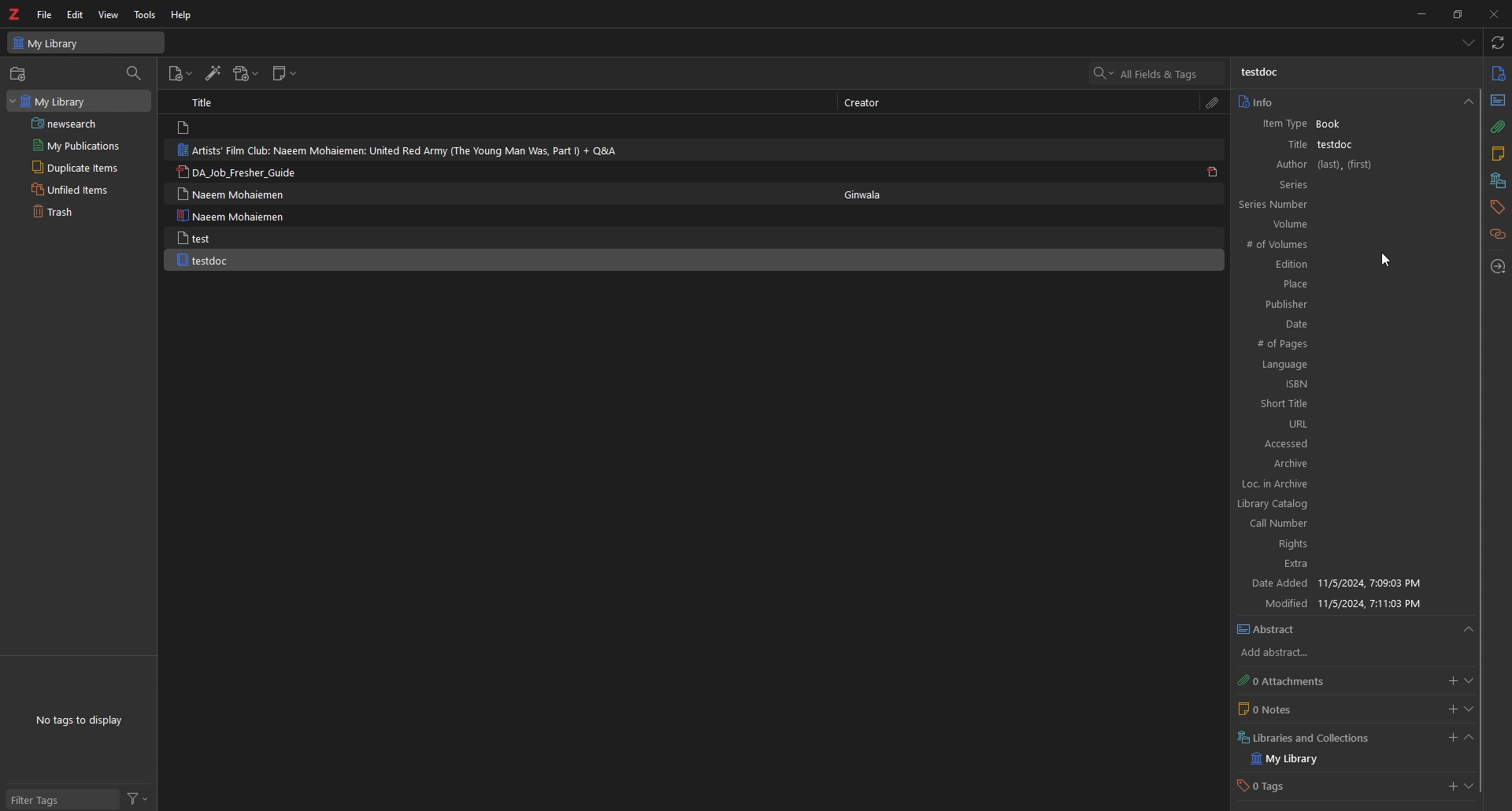 The height and width of the screenshot is (811, 1512). What do you see at coordinates (1450, 787) in the screenshot?
I see `add tags` at bounding box center [1450, 787].